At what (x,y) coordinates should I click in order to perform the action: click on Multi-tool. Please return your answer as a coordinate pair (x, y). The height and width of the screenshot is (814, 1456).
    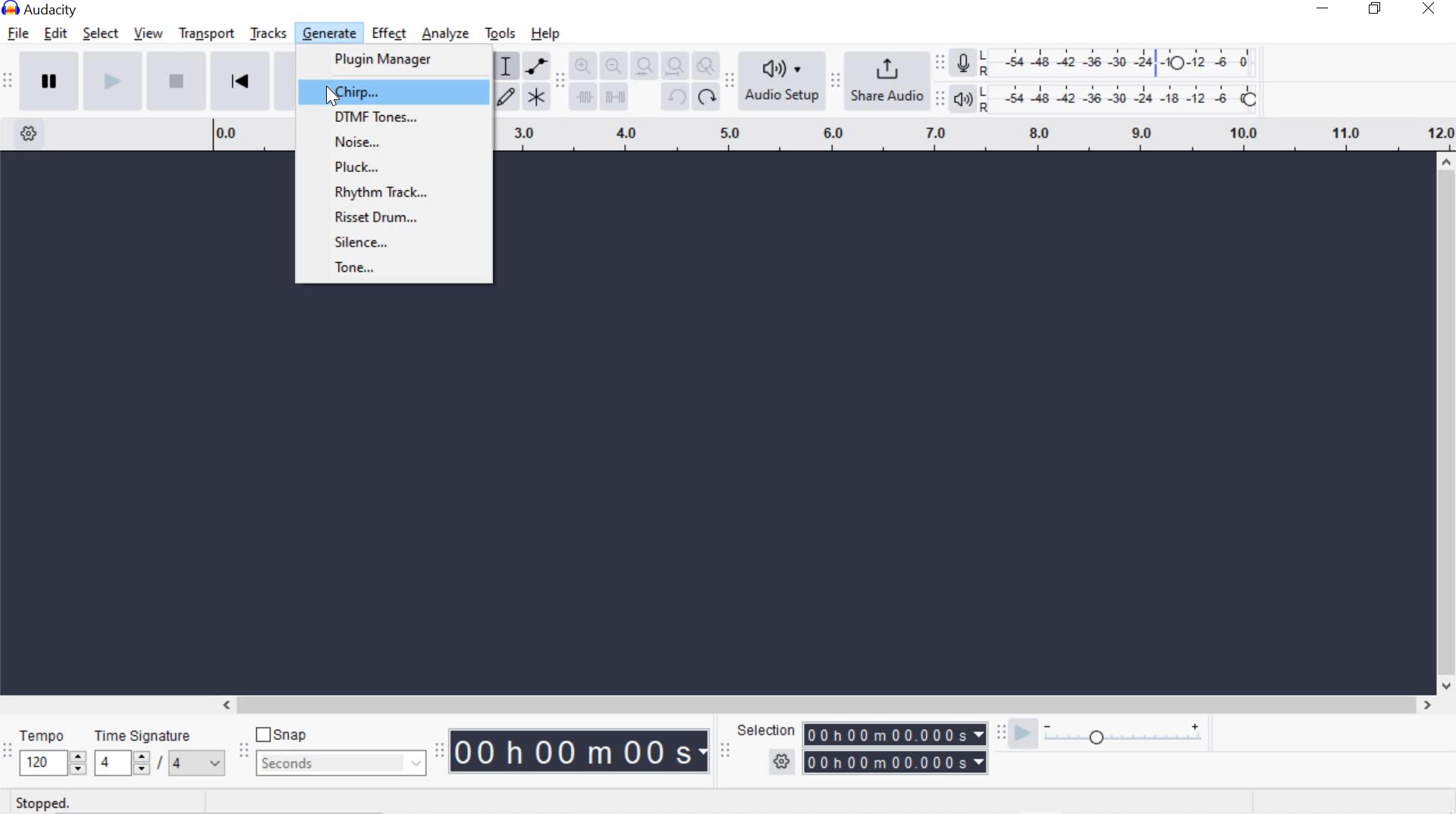
    Looking at the image, I should click on (535, 96).